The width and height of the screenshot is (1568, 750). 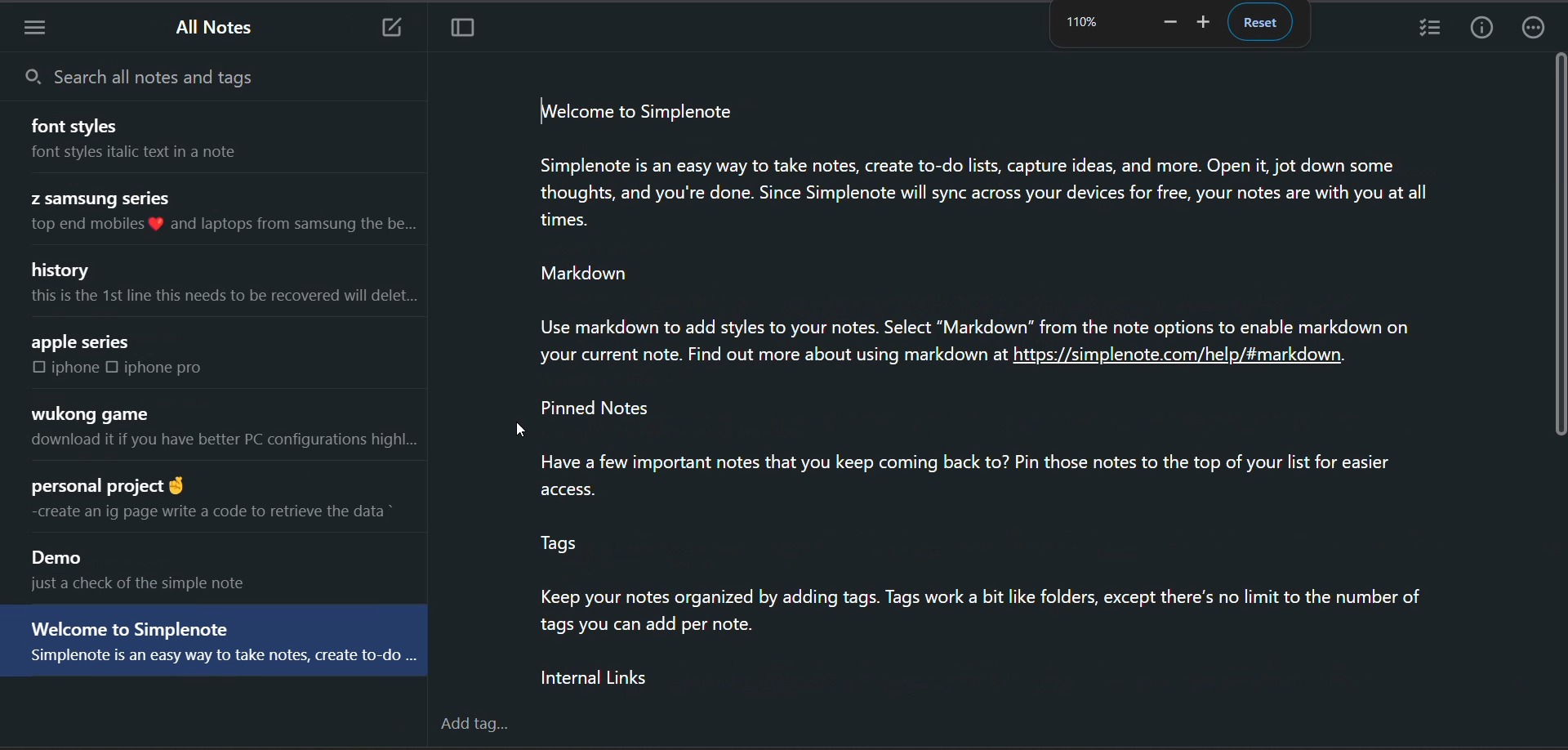 I want to click on toggle focus mode, so click(x=458, y=27).